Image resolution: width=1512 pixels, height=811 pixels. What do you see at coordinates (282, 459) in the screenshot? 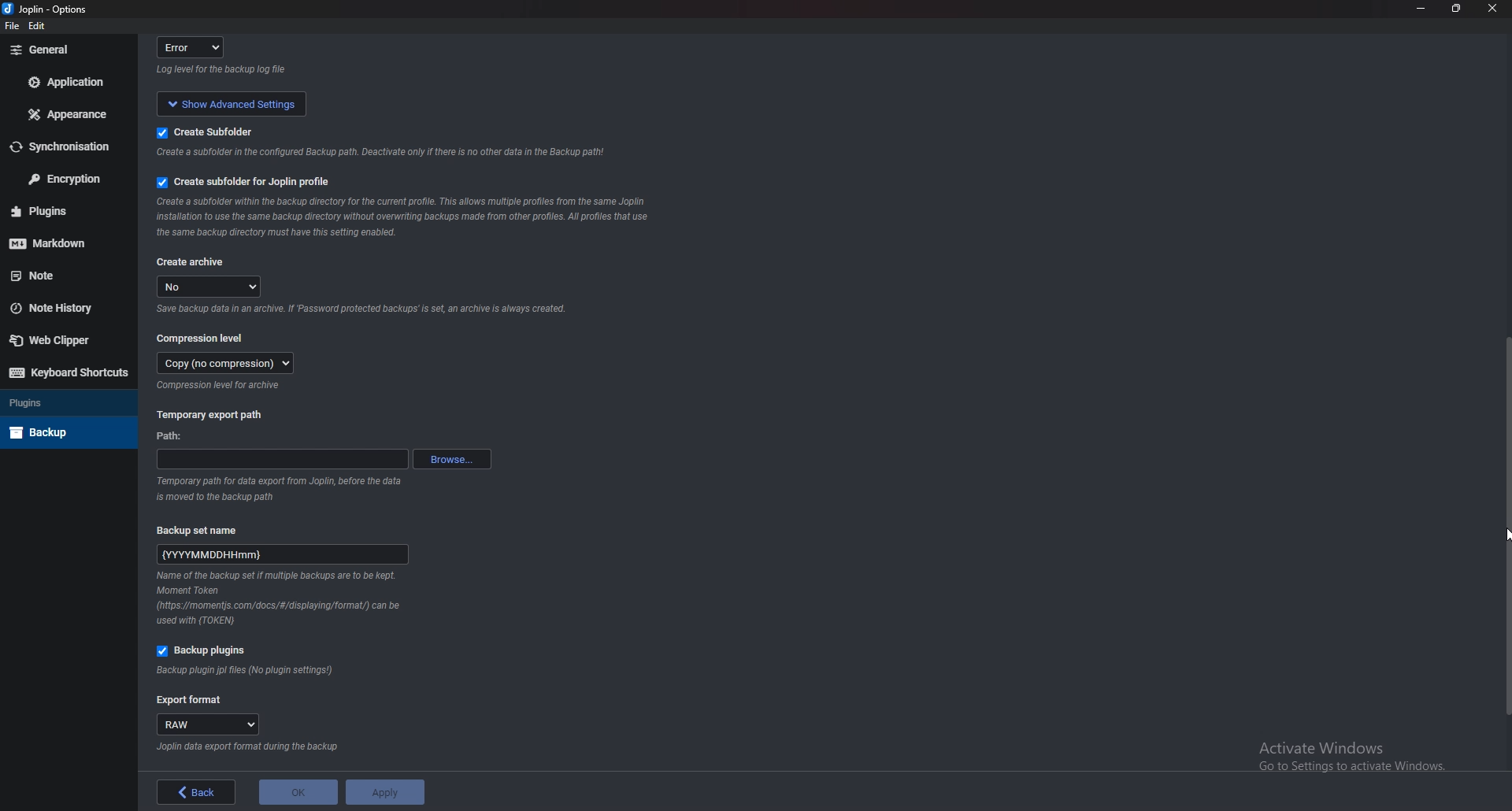
I see `path` at bounding box center [282, 459].